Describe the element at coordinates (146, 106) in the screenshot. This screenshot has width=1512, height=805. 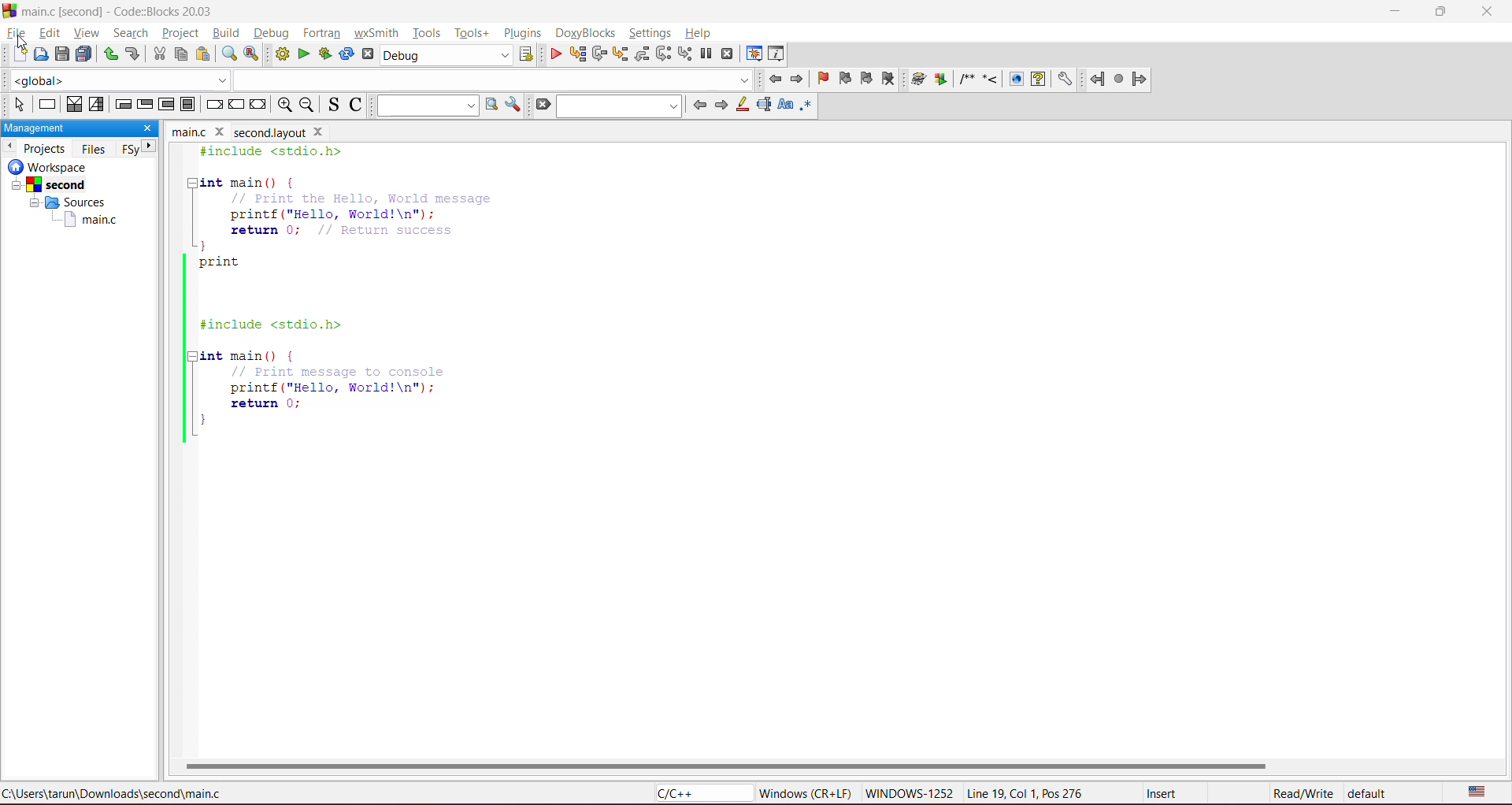
I see `exit condition loop` at that location.